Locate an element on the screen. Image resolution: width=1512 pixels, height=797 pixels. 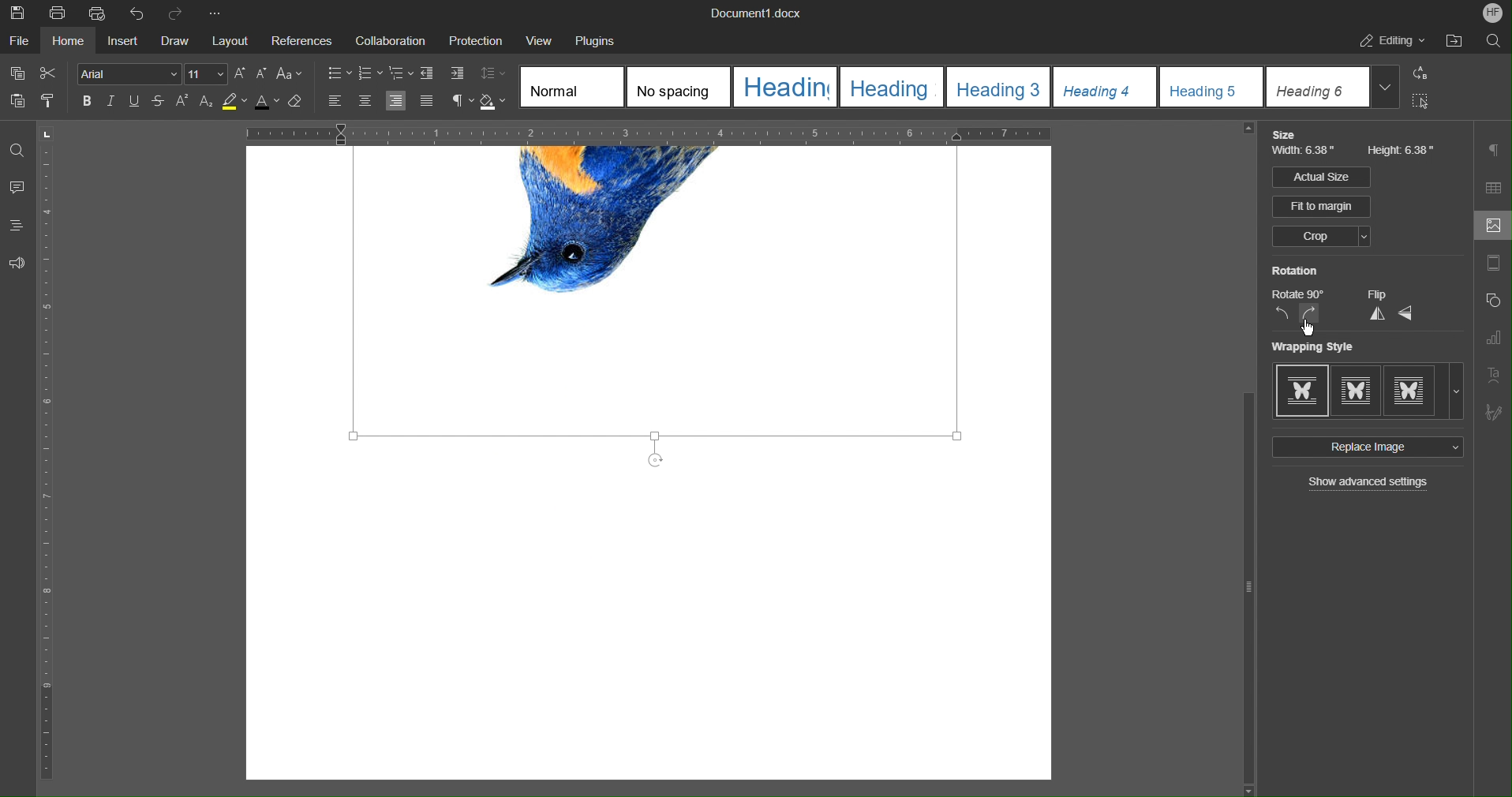
No spacing is located at coordinates (676, 88).